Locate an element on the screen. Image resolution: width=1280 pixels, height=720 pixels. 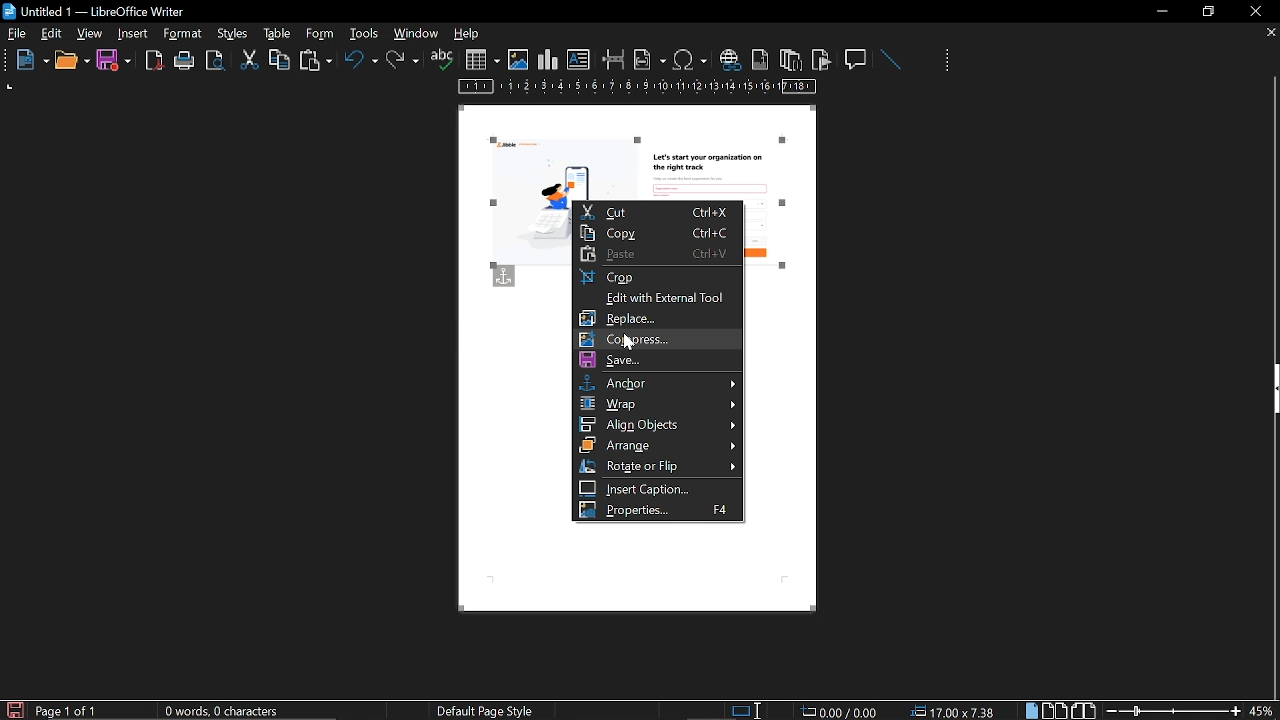
align objects is located at coordinates (658, 424).